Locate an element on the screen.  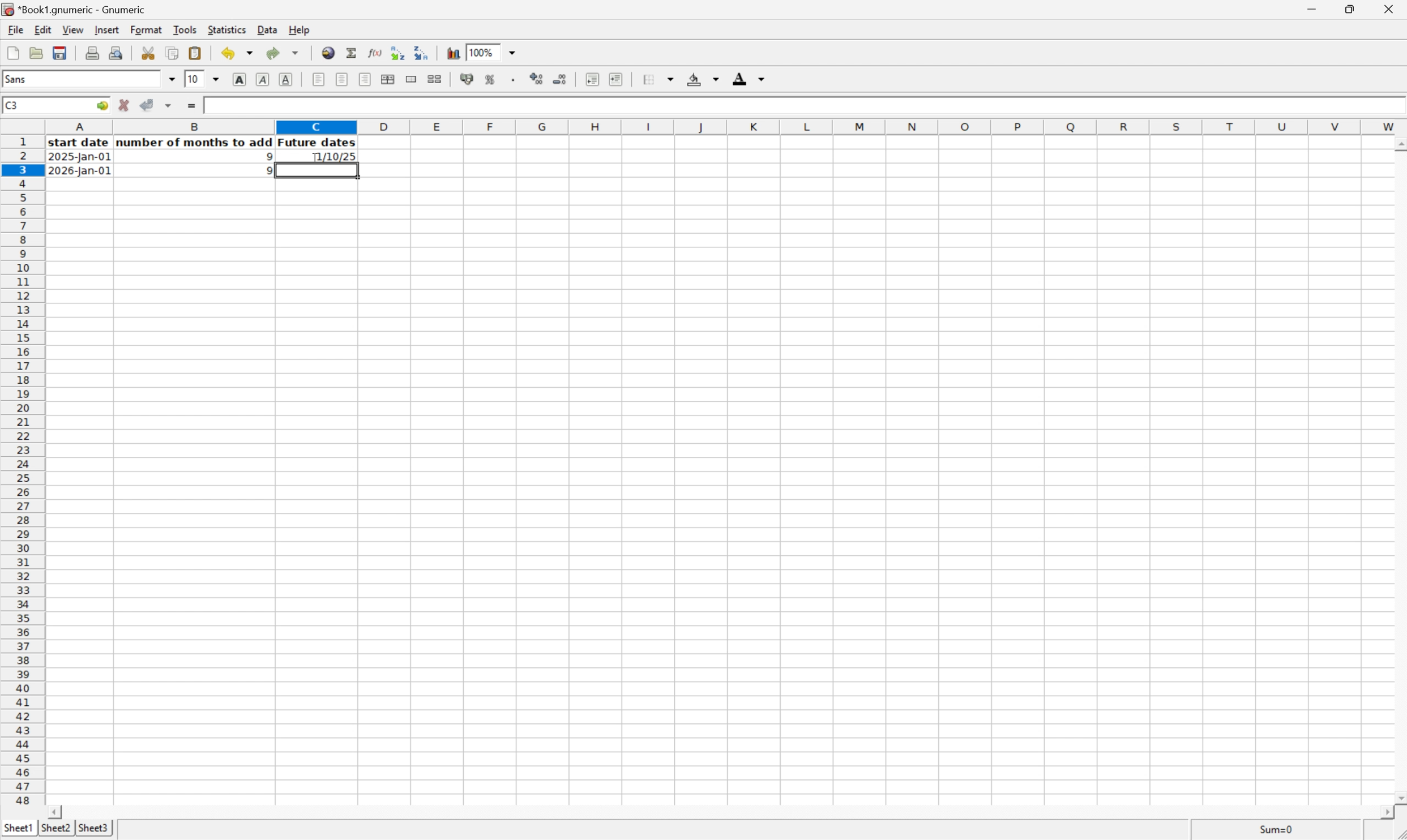
2026-jan-01 is located at coordinates (79, 172).